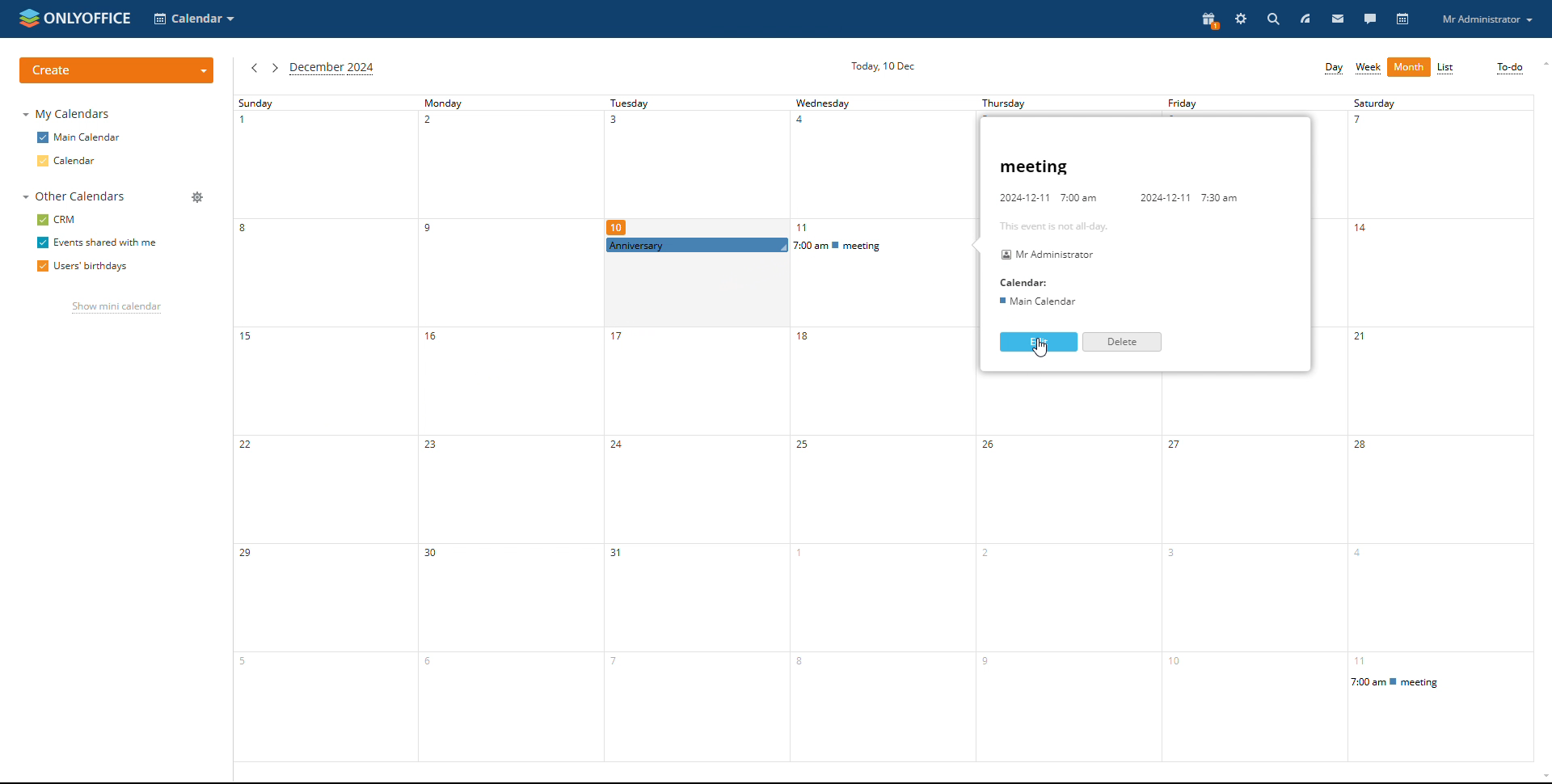  What do you see at coordinates (1043, 351) in the screenshot?
I see `cursor` at bounding box center [1043, 351].